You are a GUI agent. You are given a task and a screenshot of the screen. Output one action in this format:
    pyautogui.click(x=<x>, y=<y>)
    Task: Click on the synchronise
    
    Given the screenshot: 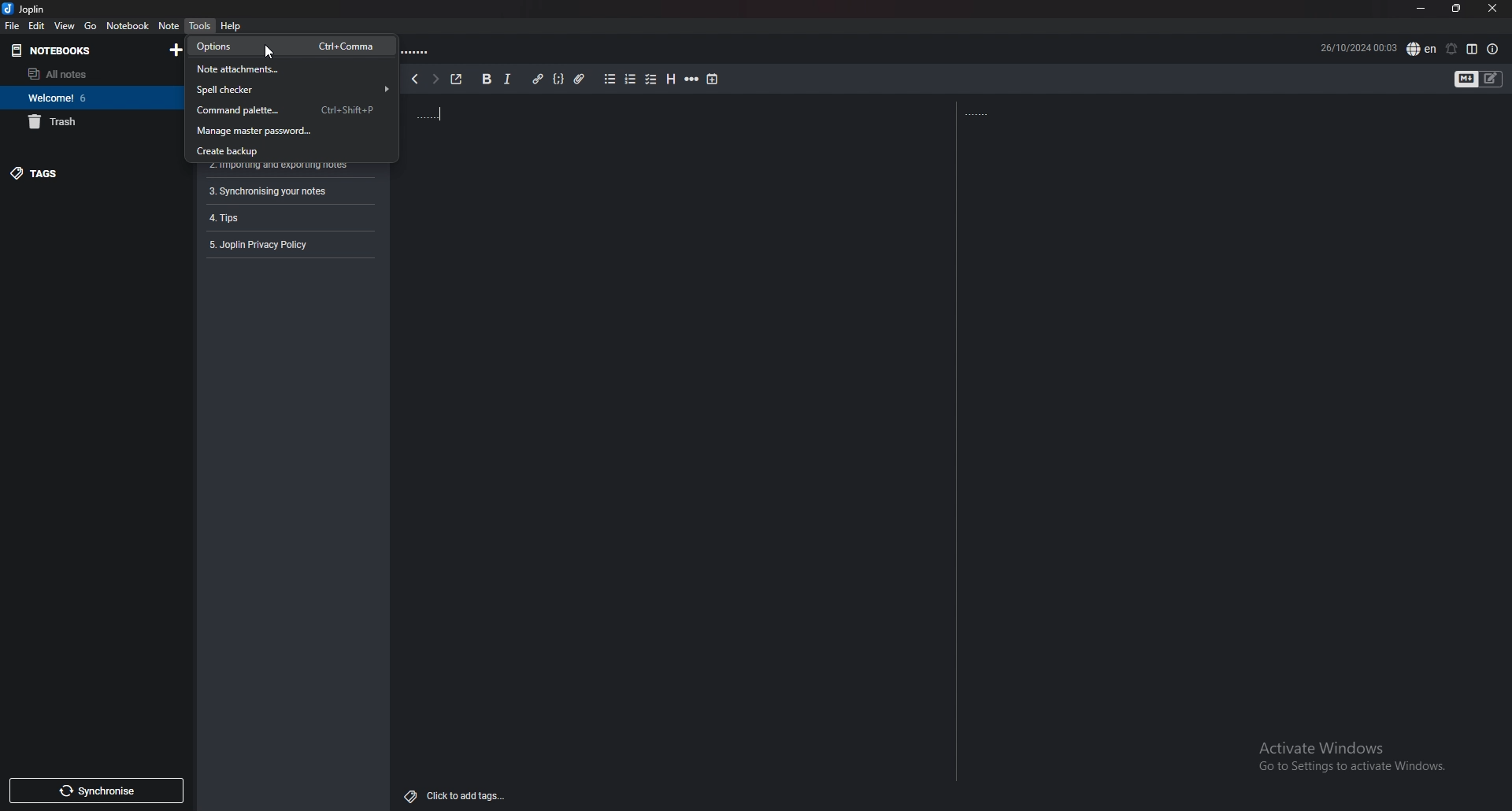 What is the action you would take?
    pyautogui.click(x=97, y=791)
    